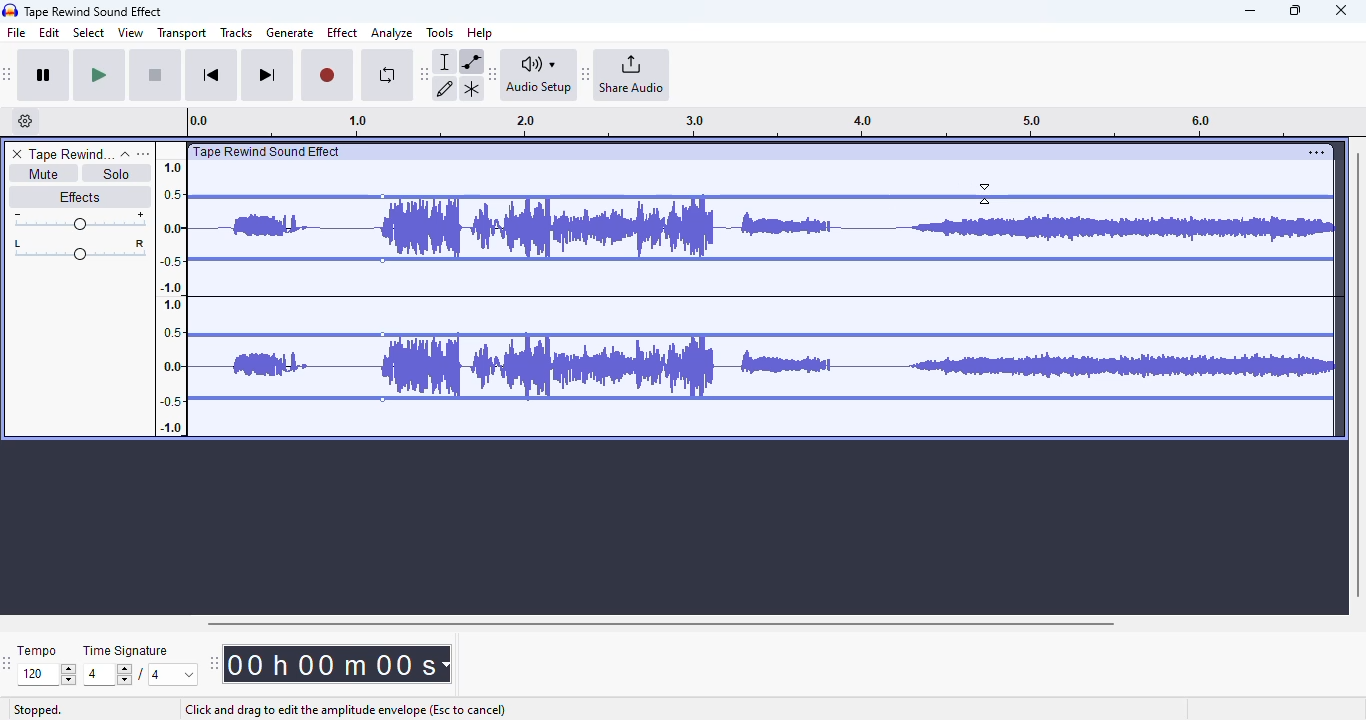 The image size is (1366, 720). I want to click on help, so click(480, 32).